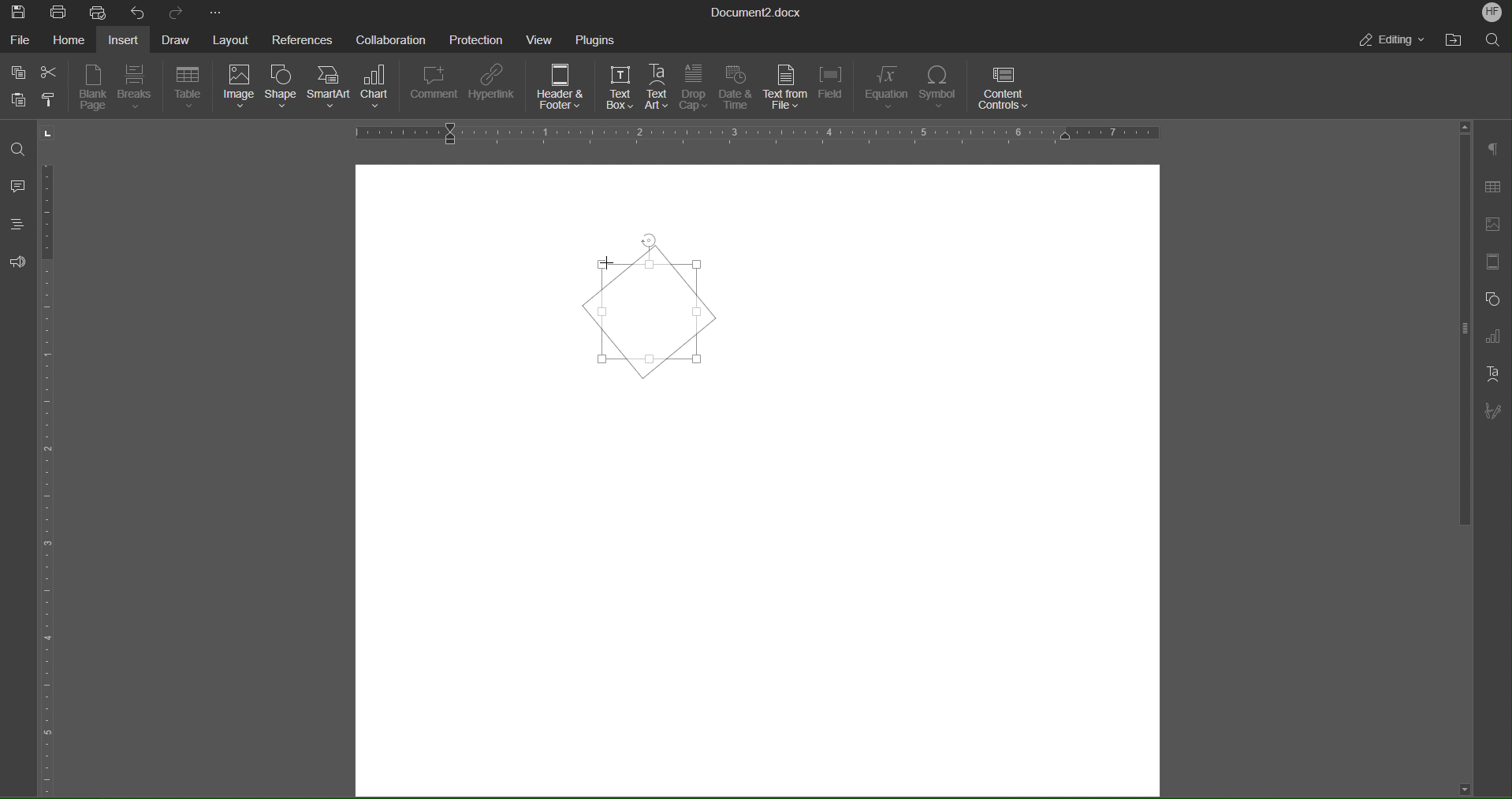 This screenshot has height=799, width=1512. I want to click on Drop Cap, so click(694, 88).